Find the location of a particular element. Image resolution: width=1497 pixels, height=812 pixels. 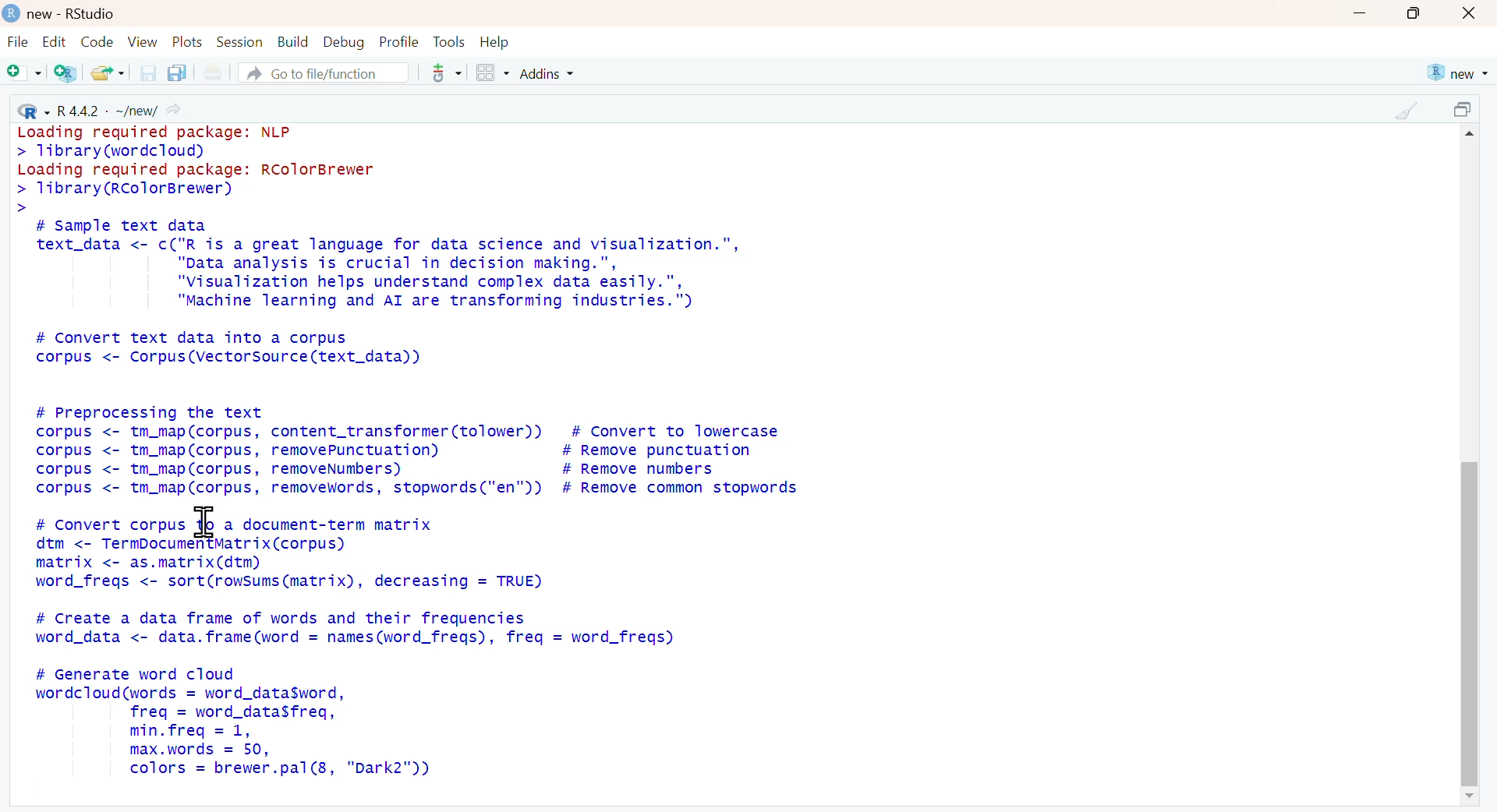

Open an existing file is located at coordinates (107, 72).